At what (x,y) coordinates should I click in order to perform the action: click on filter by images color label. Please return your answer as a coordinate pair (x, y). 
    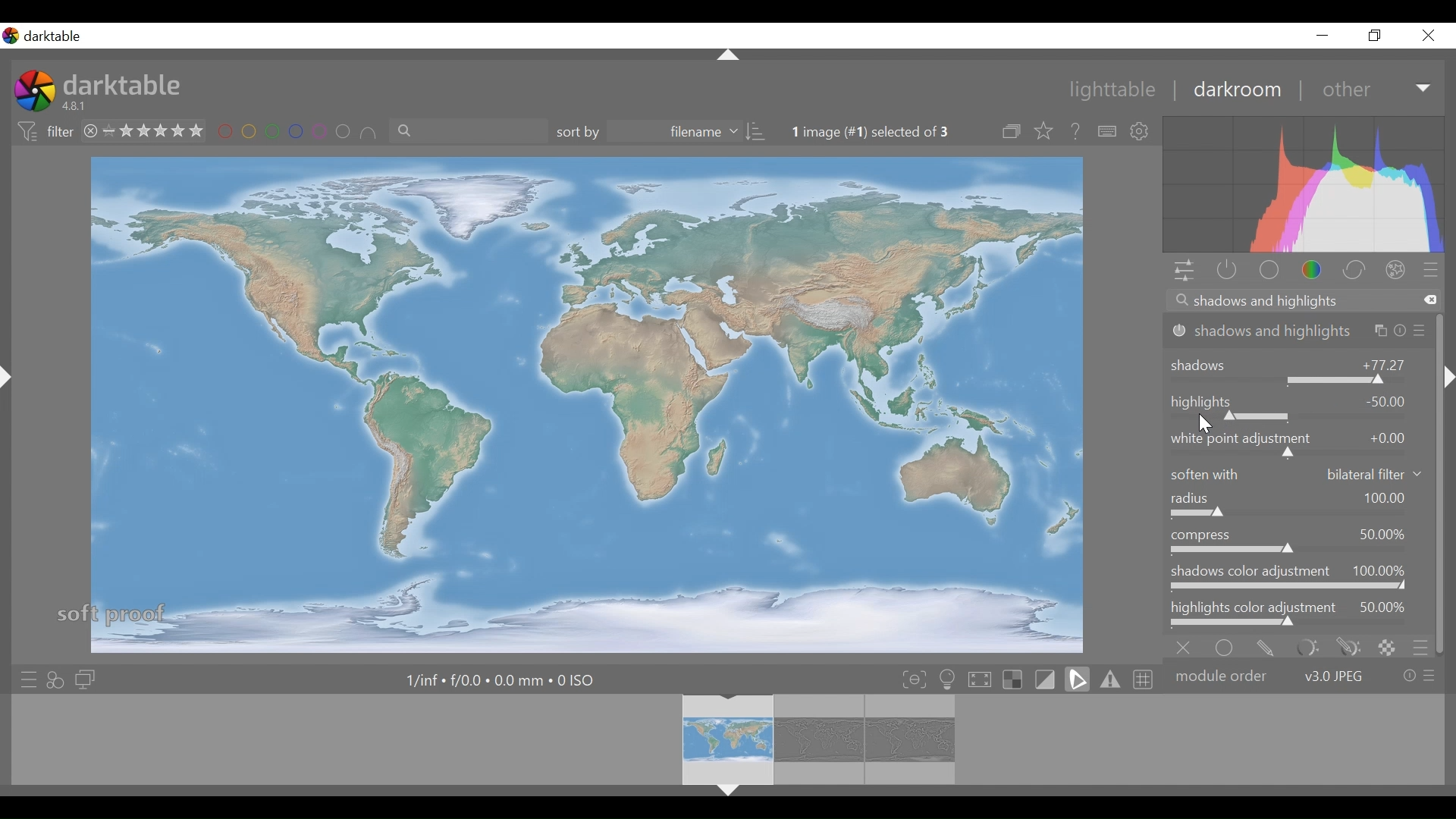
    Looking at the image, I should click on (299, 133).